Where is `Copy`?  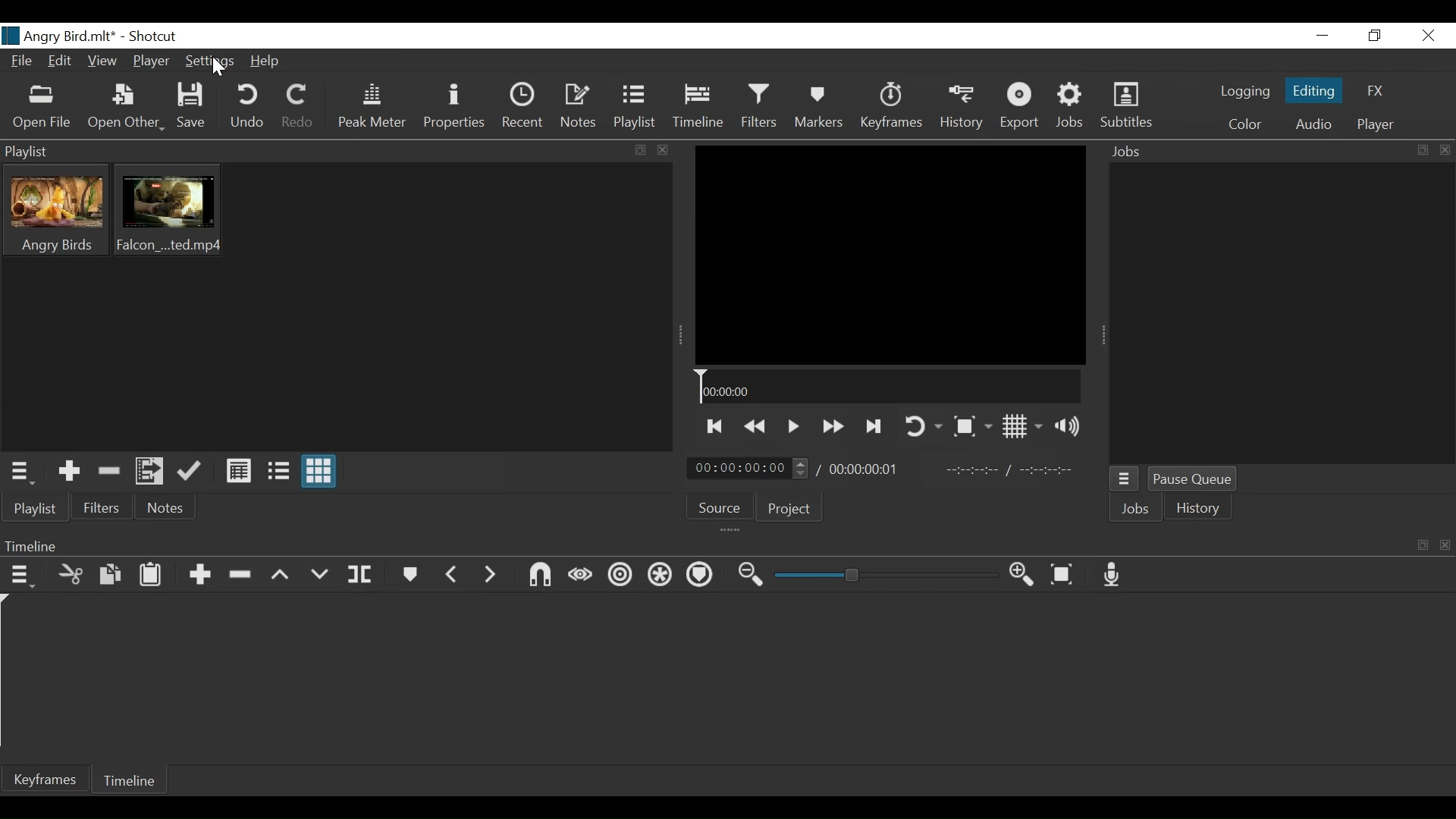 Copy is located at coordinates (108, 574).